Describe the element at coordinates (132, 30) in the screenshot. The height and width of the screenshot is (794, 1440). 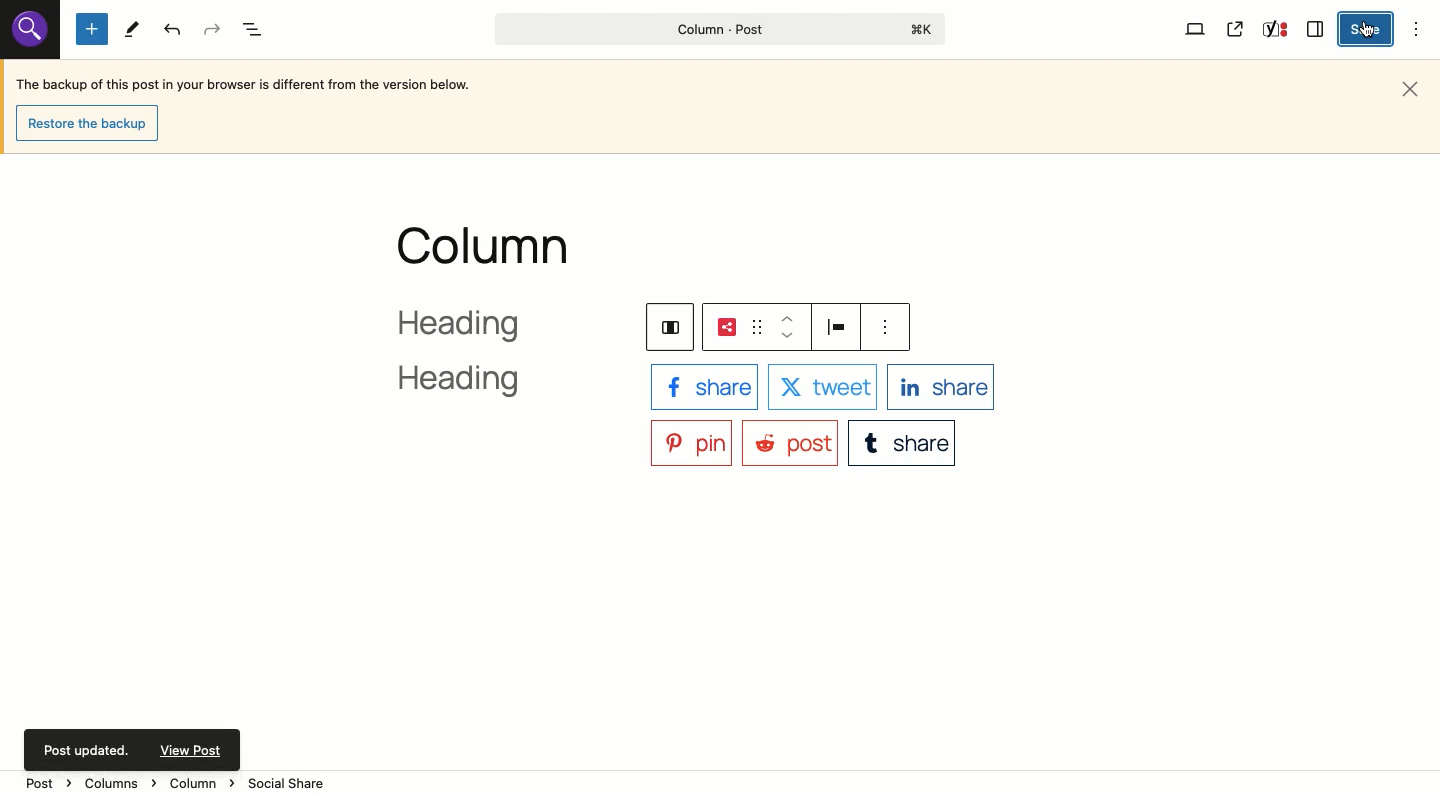
I see `Tools` at that location.